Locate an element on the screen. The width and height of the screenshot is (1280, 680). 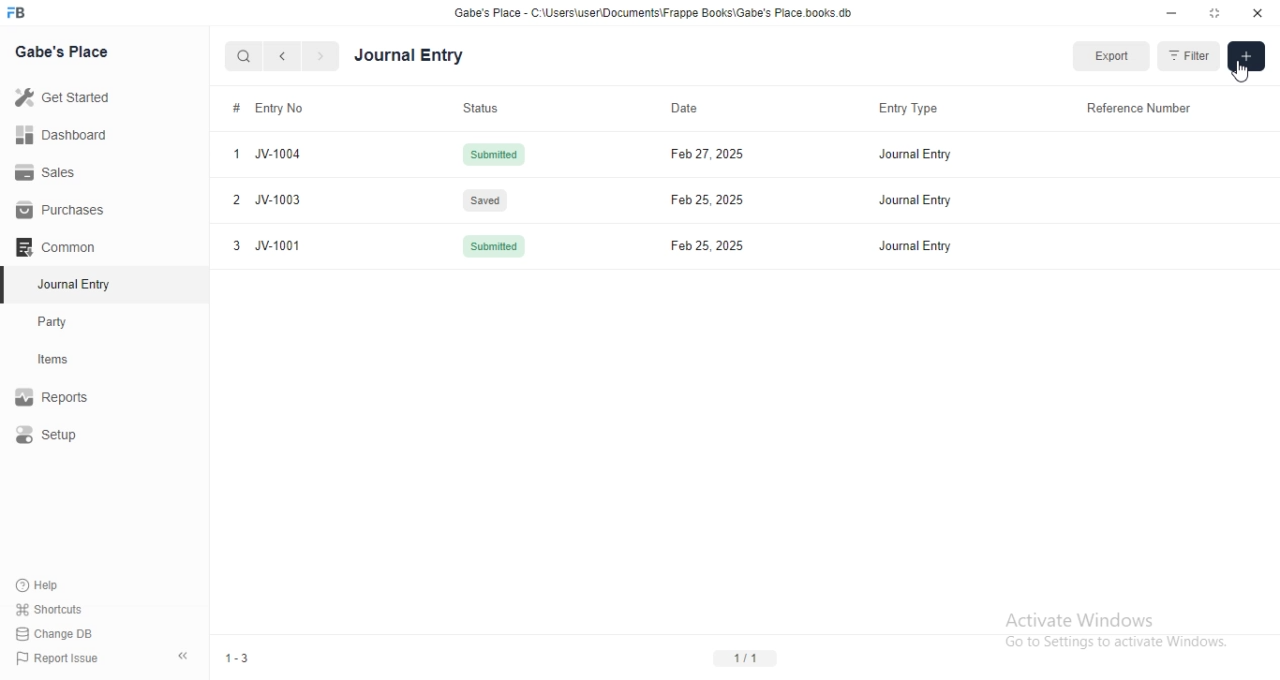
Journal Entry is located at coordinates (65, 286).